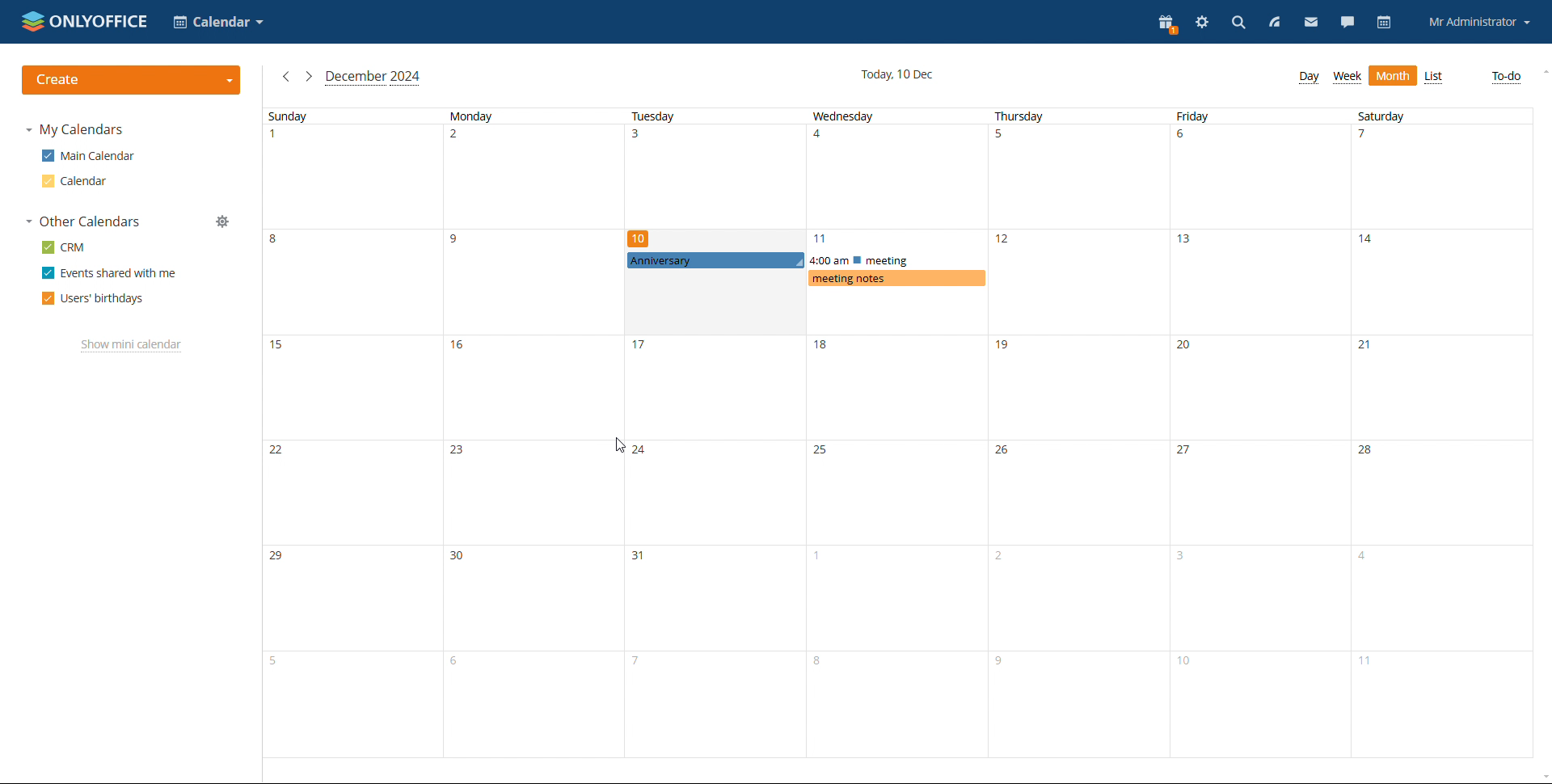 The width and height of the screenshot is (1552, 784). What do you see at coordinates (1504, 77) in the screenshot?
I see `to-do` at bounding box center [1504, 77].